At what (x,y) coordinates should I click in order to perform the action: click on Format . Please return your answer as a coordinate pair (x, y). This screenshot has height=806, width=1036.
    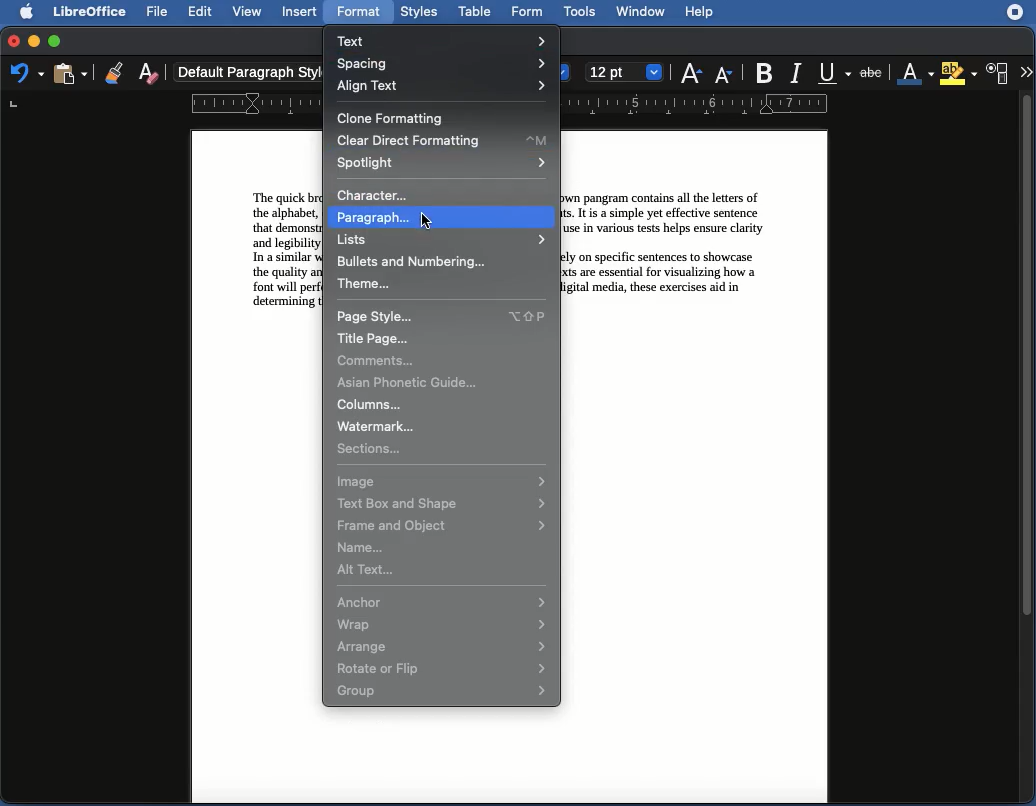
    Looking at the image, I should click on (358, 12).